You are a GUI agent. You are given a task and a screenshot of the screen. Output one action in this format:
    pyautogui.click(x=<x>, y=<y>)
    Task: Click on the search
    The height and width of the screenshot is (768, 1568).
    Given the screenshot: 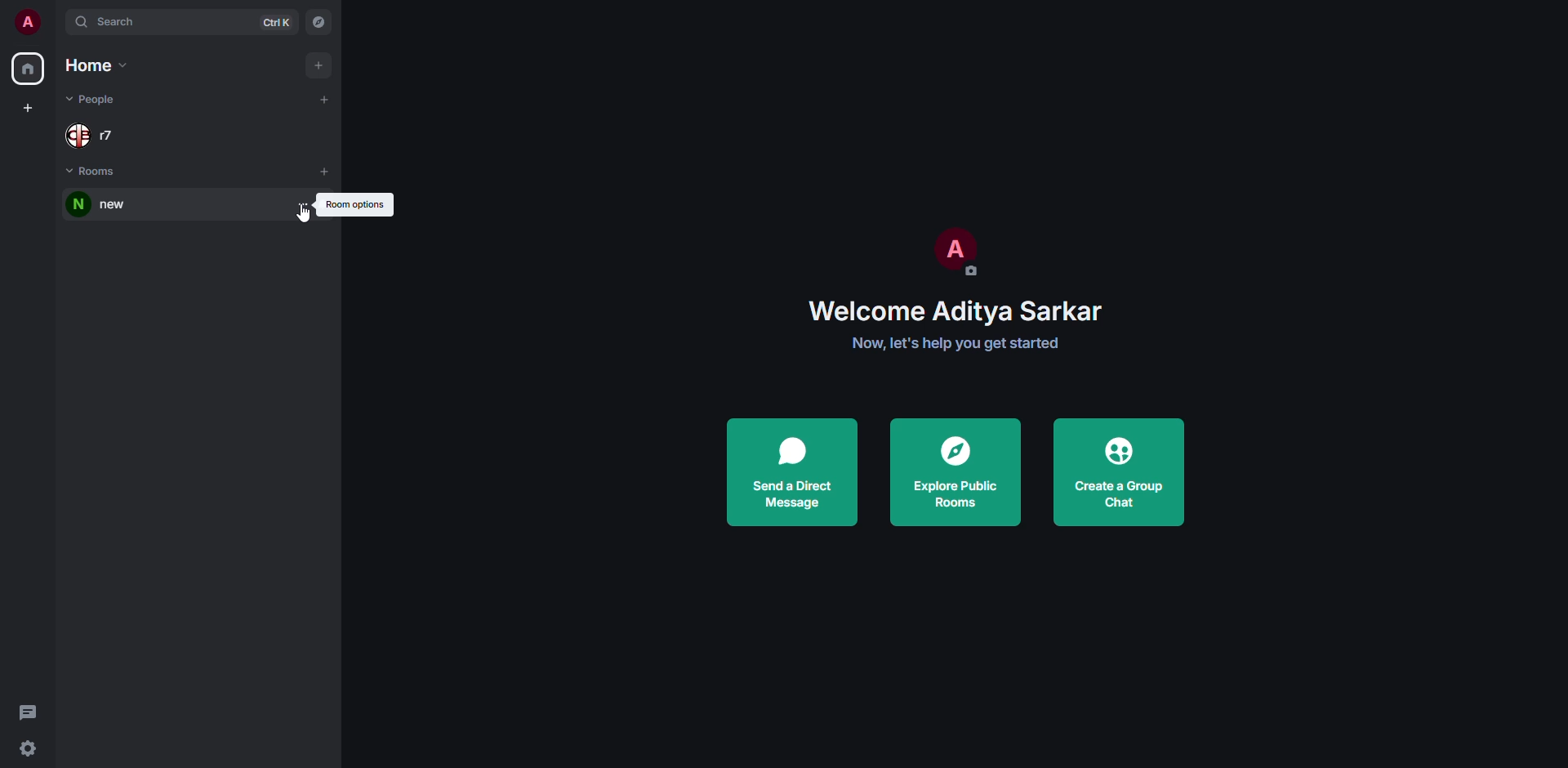 What is the action you would take?
    pyautogui.click(x=115, y=23)
    